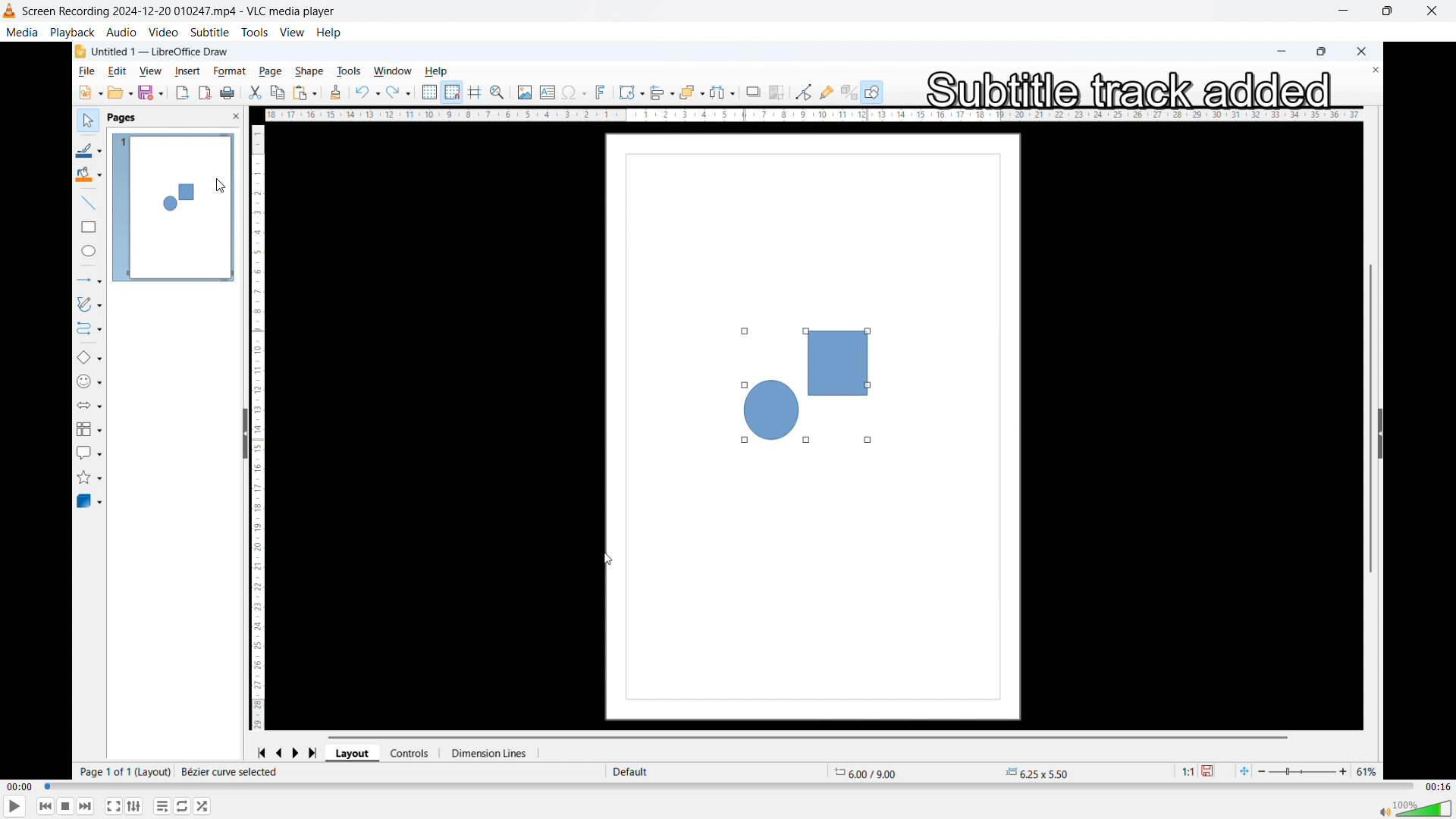 The width and height of the screenshot is (1456, 819). Describe the element at coordinates (1036, 773) in the screenshot. I see `object position- 6.25x5.50` at that location.